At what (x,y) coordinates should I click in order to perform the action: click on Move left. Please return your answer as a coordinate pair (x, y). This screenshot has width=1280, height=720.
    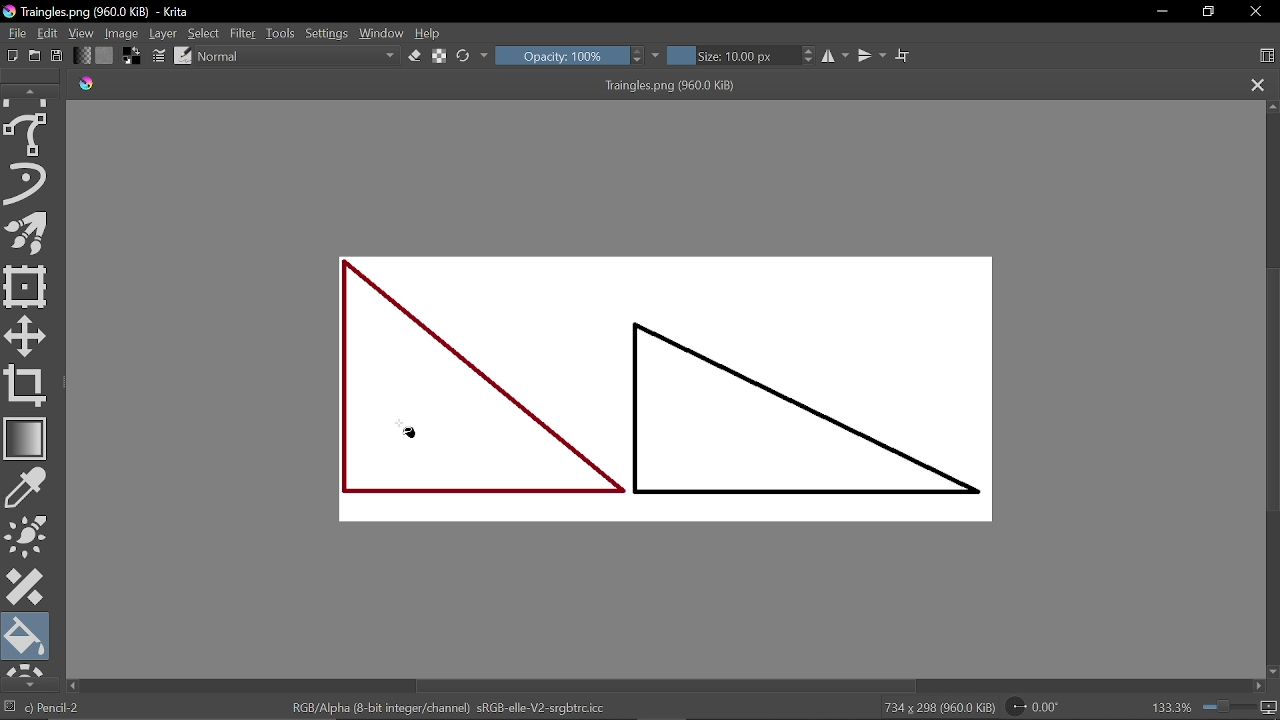
    Looking at the image, I should click on (74, 686).